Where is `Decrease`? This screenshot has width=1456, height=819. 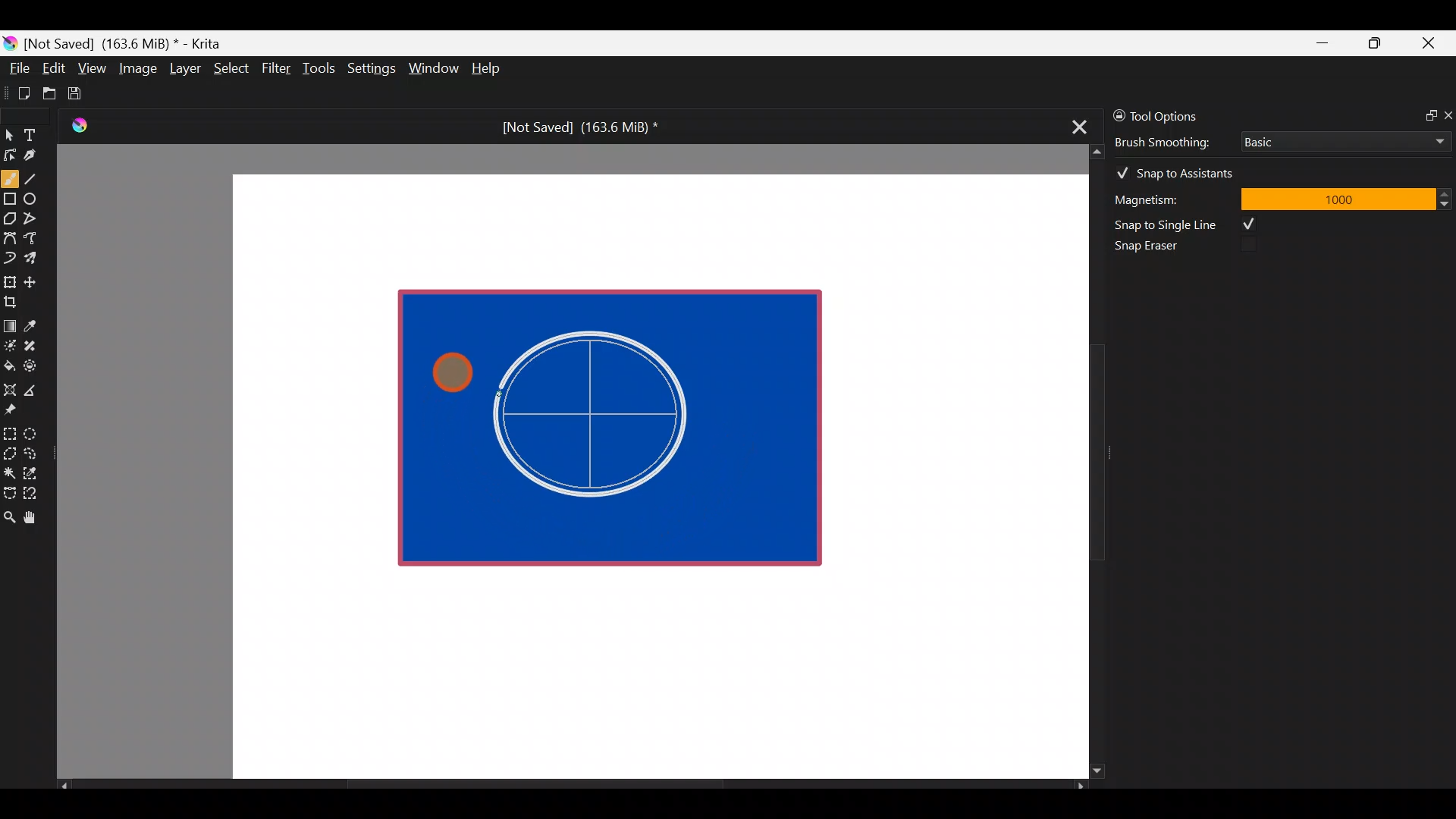
Decrease is located at coordinates (1447, 203).